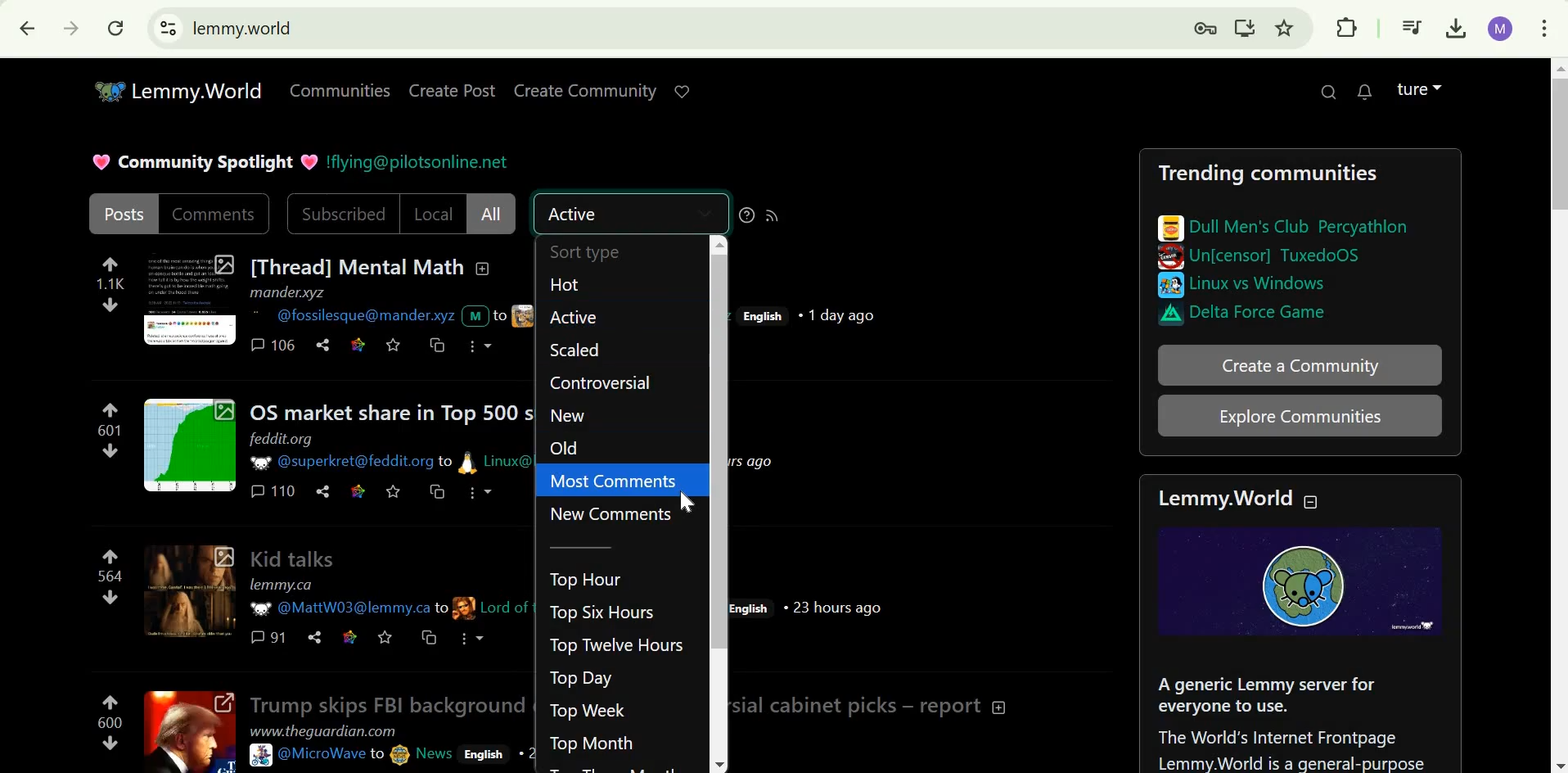  Describe the element at coordinates (205, 161) in the screenshot. I see `Community Spotlight` at that location.